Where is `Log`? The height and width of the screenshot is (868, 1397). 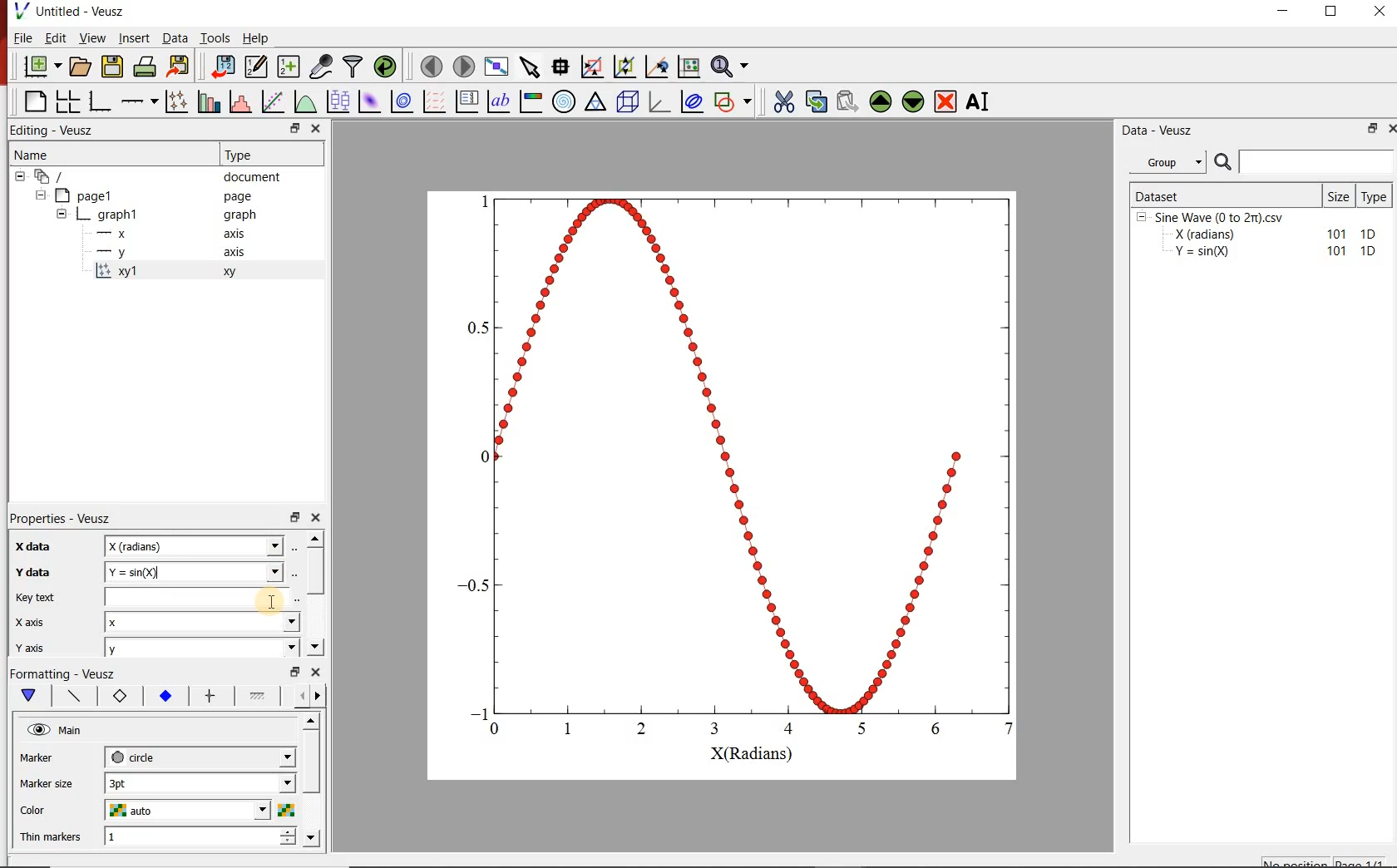 Log is located at coordinates (28, 620).